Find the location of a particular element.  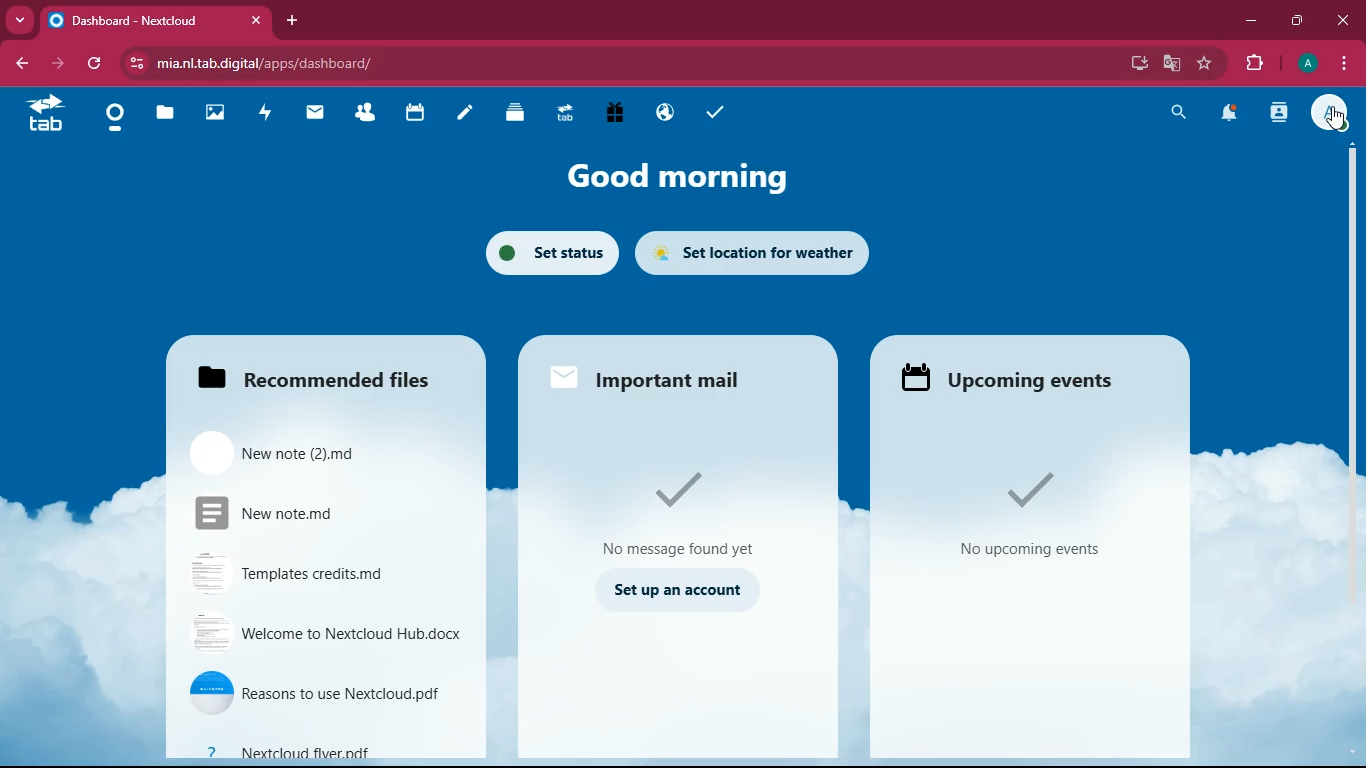

forward is located at coordinates (57, 64).